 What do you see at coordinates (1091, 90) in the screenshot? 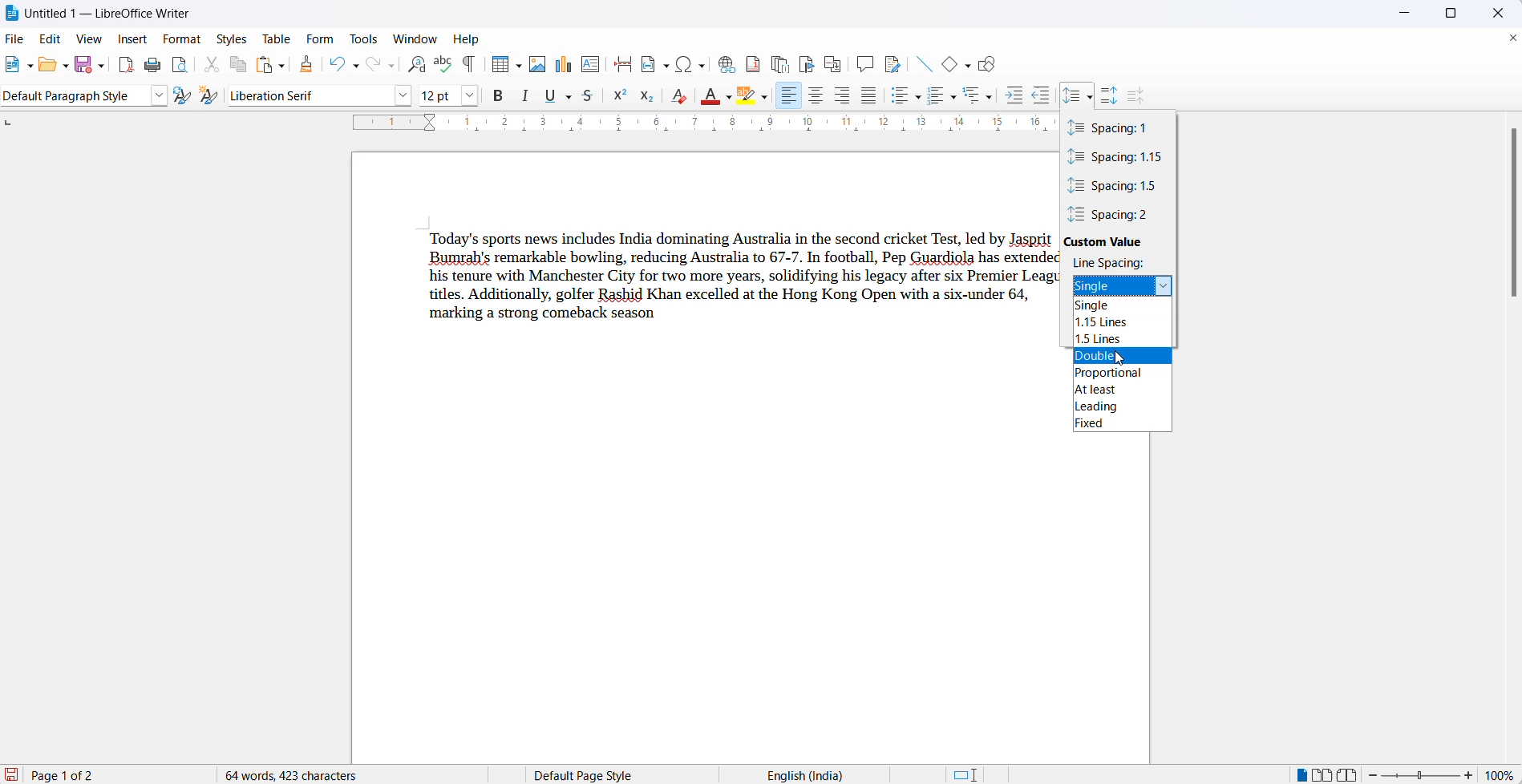
I see `cursor` at bounding box center [1091, 90].